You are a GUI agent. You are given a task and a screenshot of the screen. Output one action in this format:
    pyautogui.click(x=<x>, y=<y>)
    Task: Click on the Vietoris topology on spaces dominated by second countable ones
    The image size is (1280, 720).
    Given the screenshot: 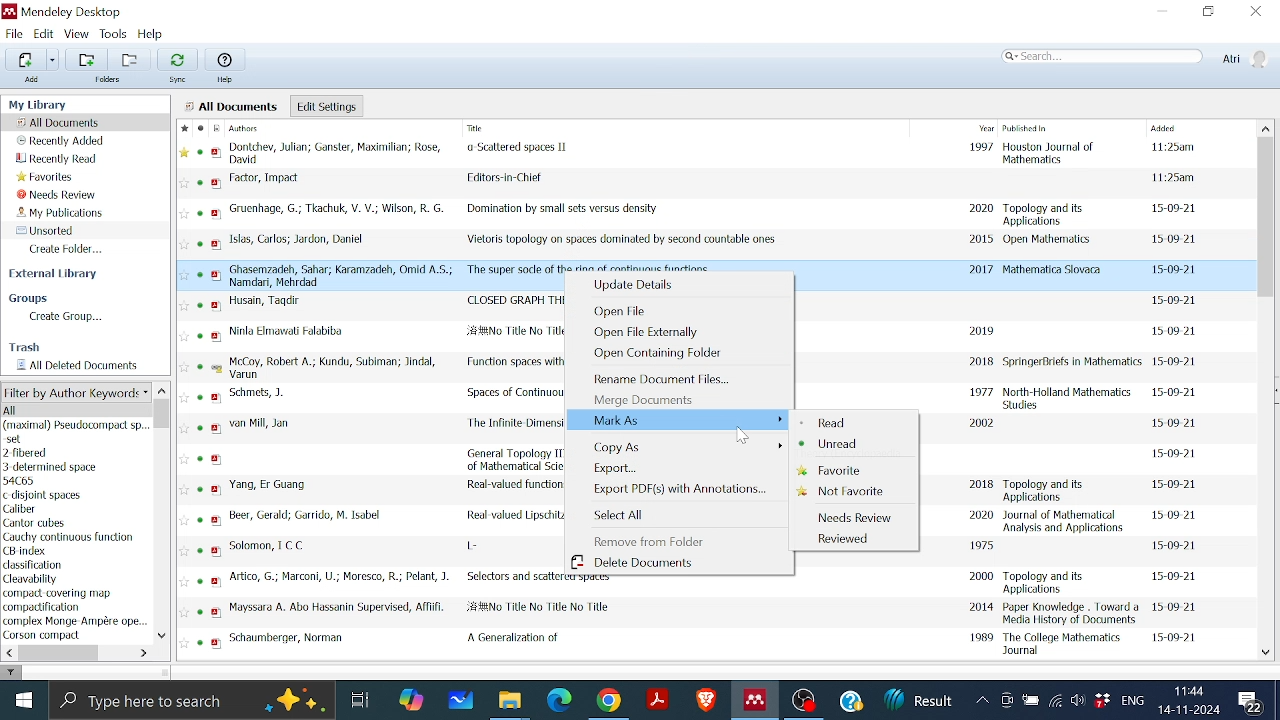 What is the action you would take?
    pyautogui.click(x=707, y=246)
    